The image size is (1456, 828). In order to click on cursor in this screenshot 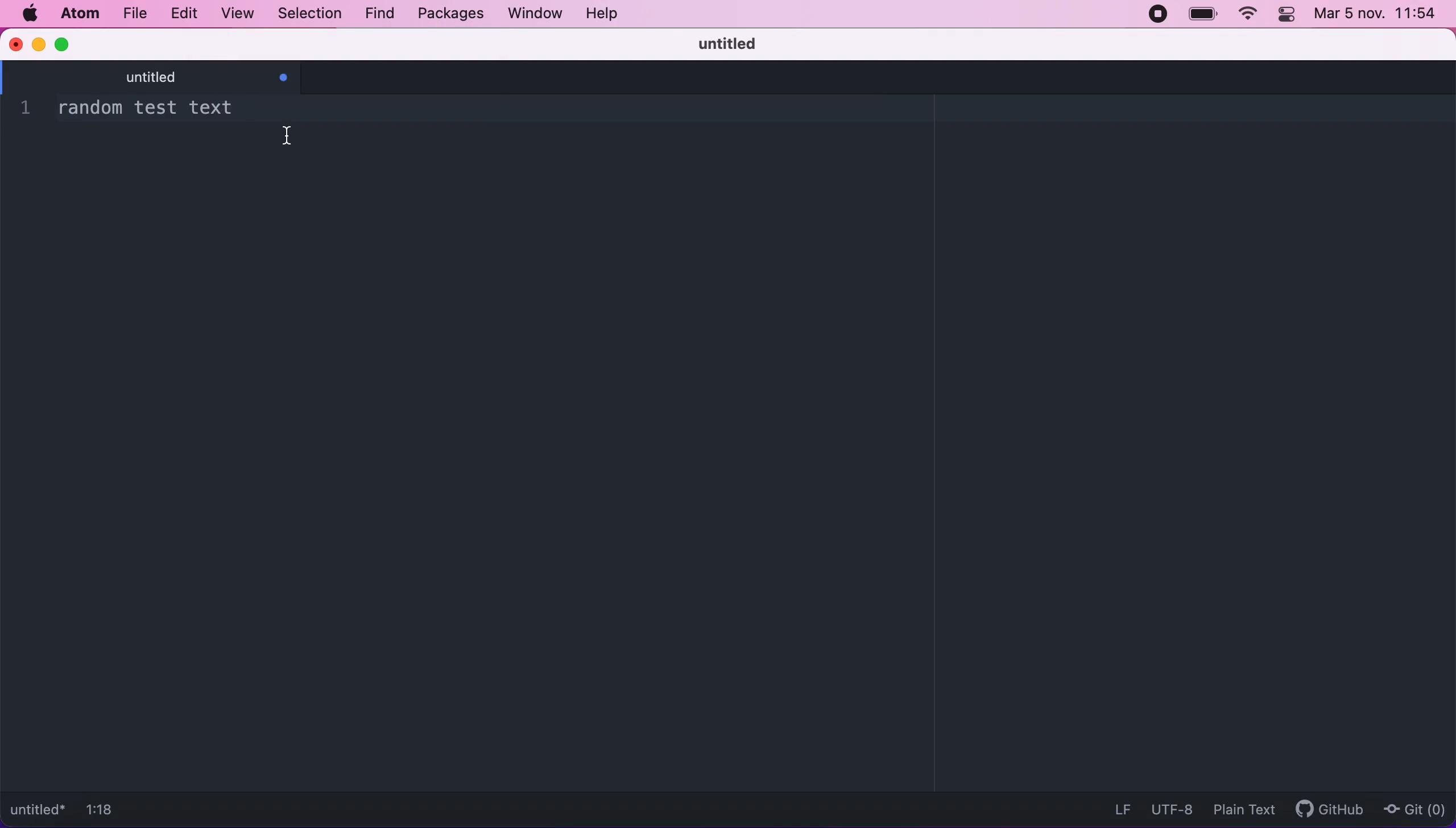, I will do `click(292, 134)`.